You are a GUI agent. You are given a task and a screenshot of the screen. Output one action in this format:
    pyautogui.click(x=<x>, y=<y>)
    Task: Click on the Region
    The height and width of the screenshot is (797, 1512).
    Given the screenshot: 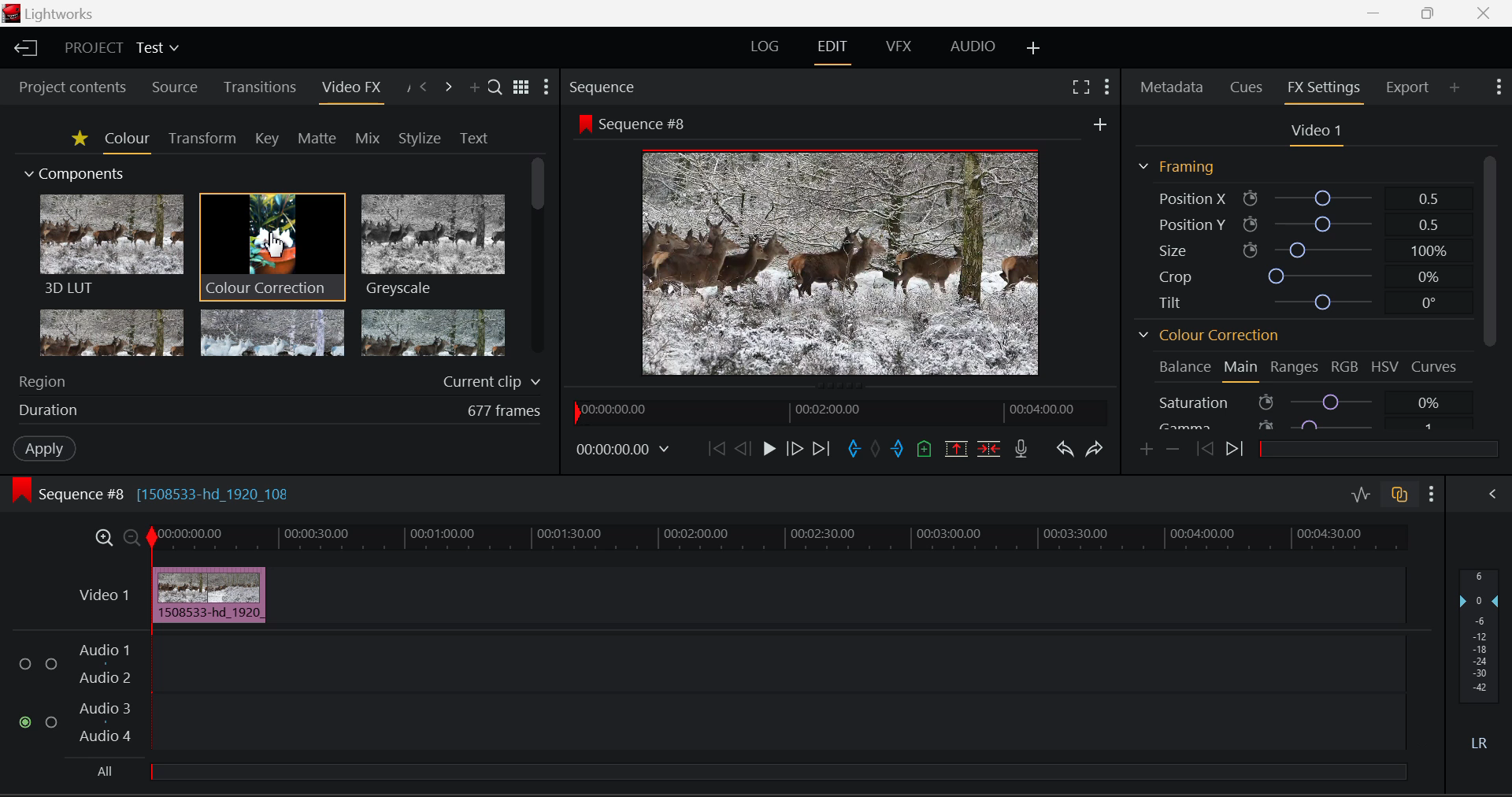 What is the action you would take?
    pyautogui.click(x=280, y=381)
    